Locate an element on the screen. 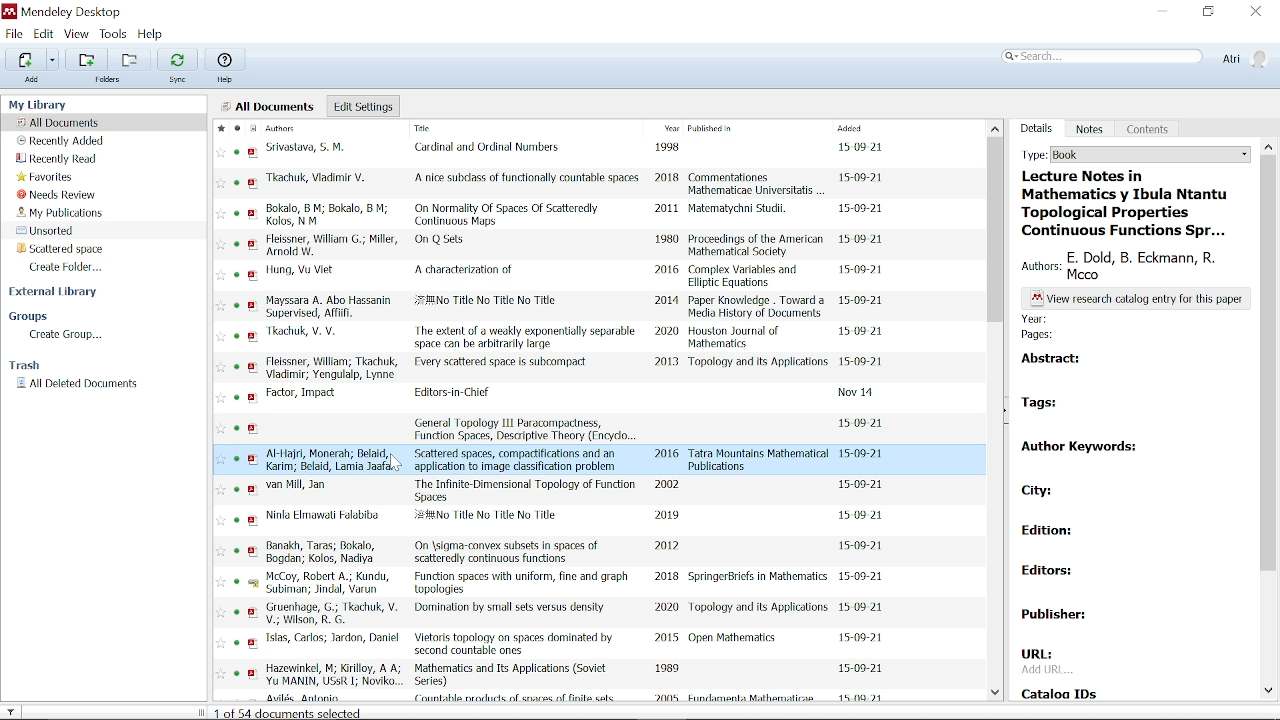 This screenshot has height=720, width=1280. 2014 is located at coordinates (667, 300).